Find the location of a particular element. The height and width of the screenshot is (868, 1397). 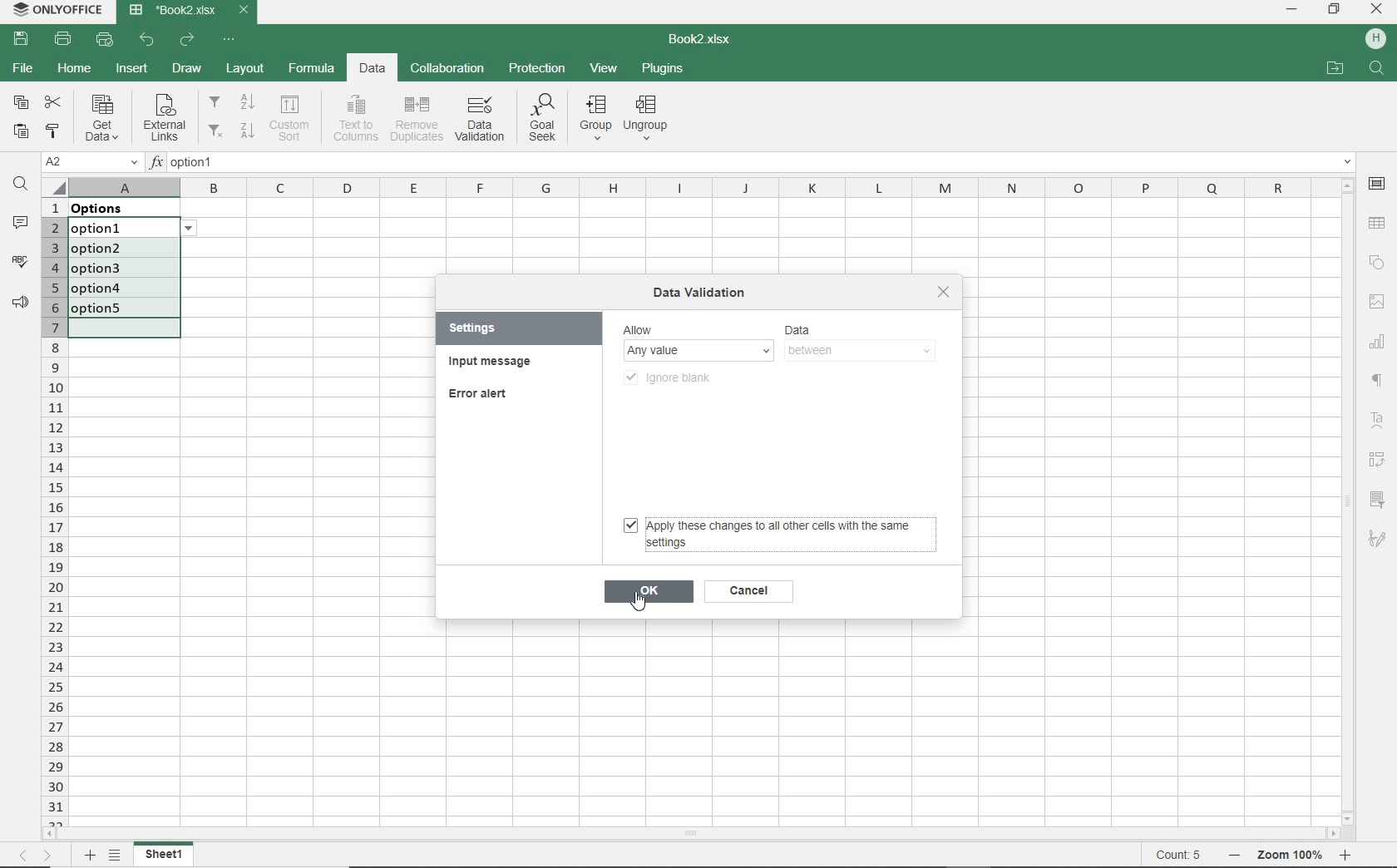

CUSTOMIZE QUICK ACCESS TOOLBAR is located at coordinates (230, 40).